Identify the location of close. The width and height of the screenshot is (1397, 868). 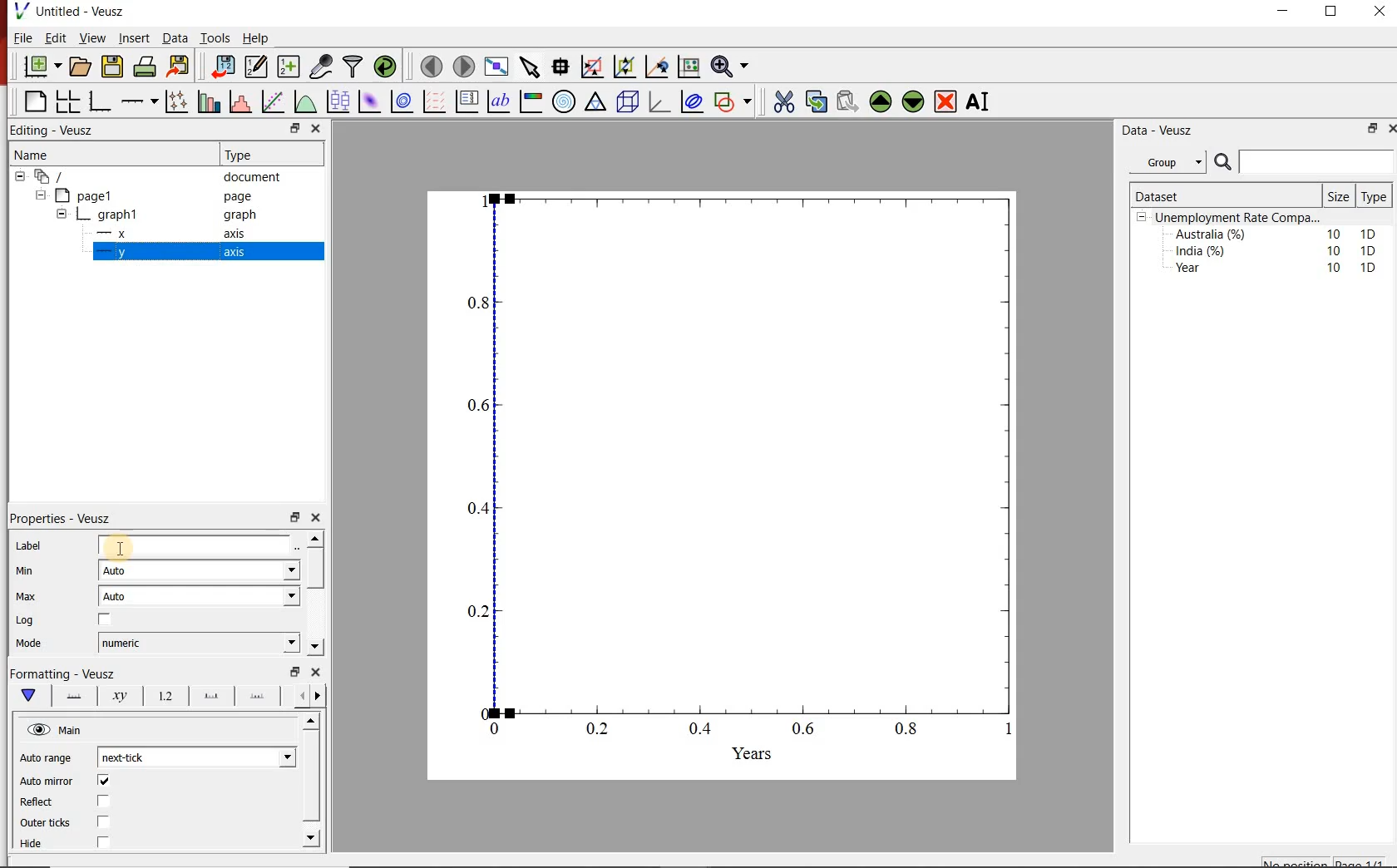
(317, 128).